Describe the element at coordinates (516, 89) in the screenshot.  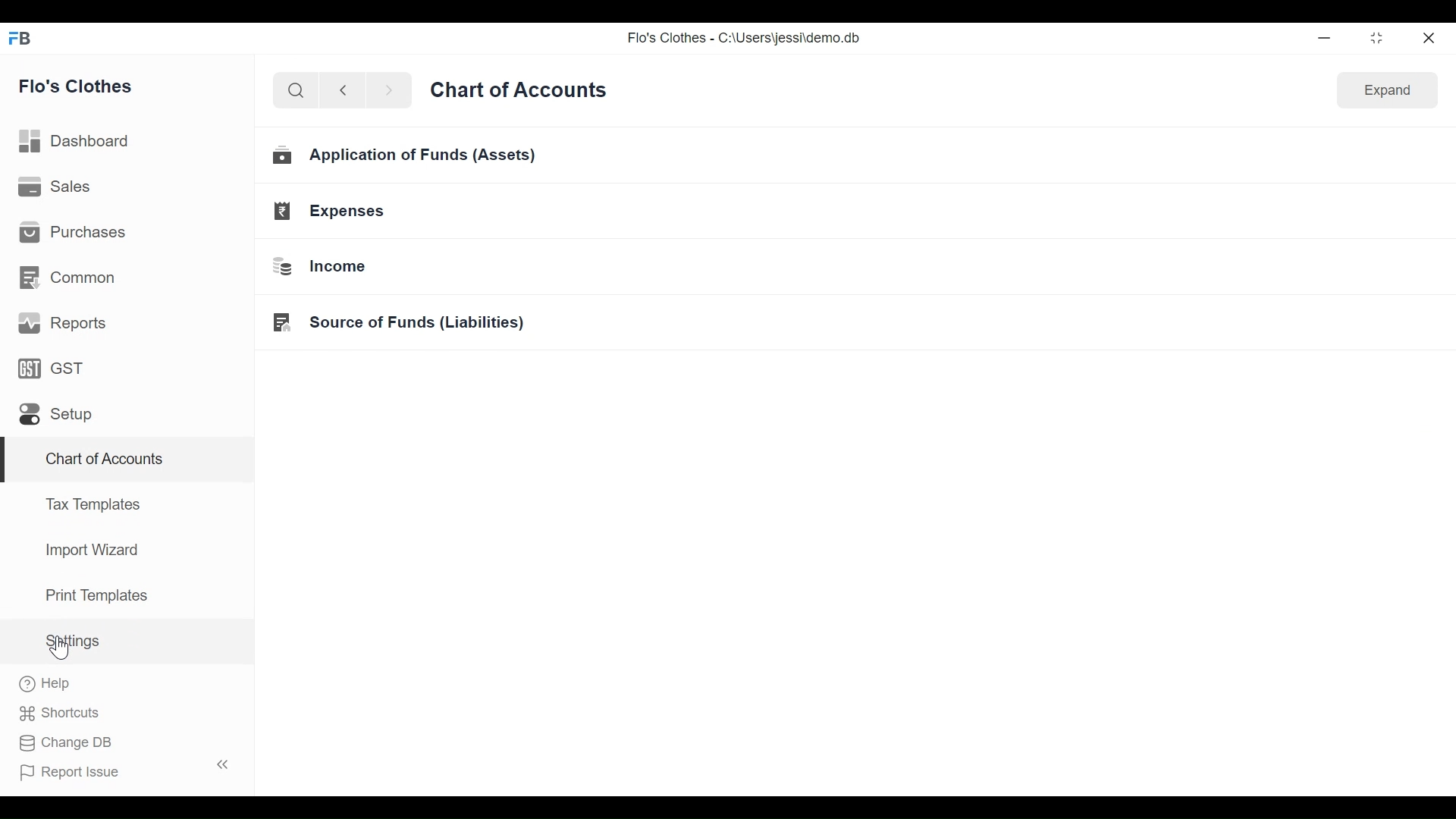
I see `Chart of Accounts` at that location.